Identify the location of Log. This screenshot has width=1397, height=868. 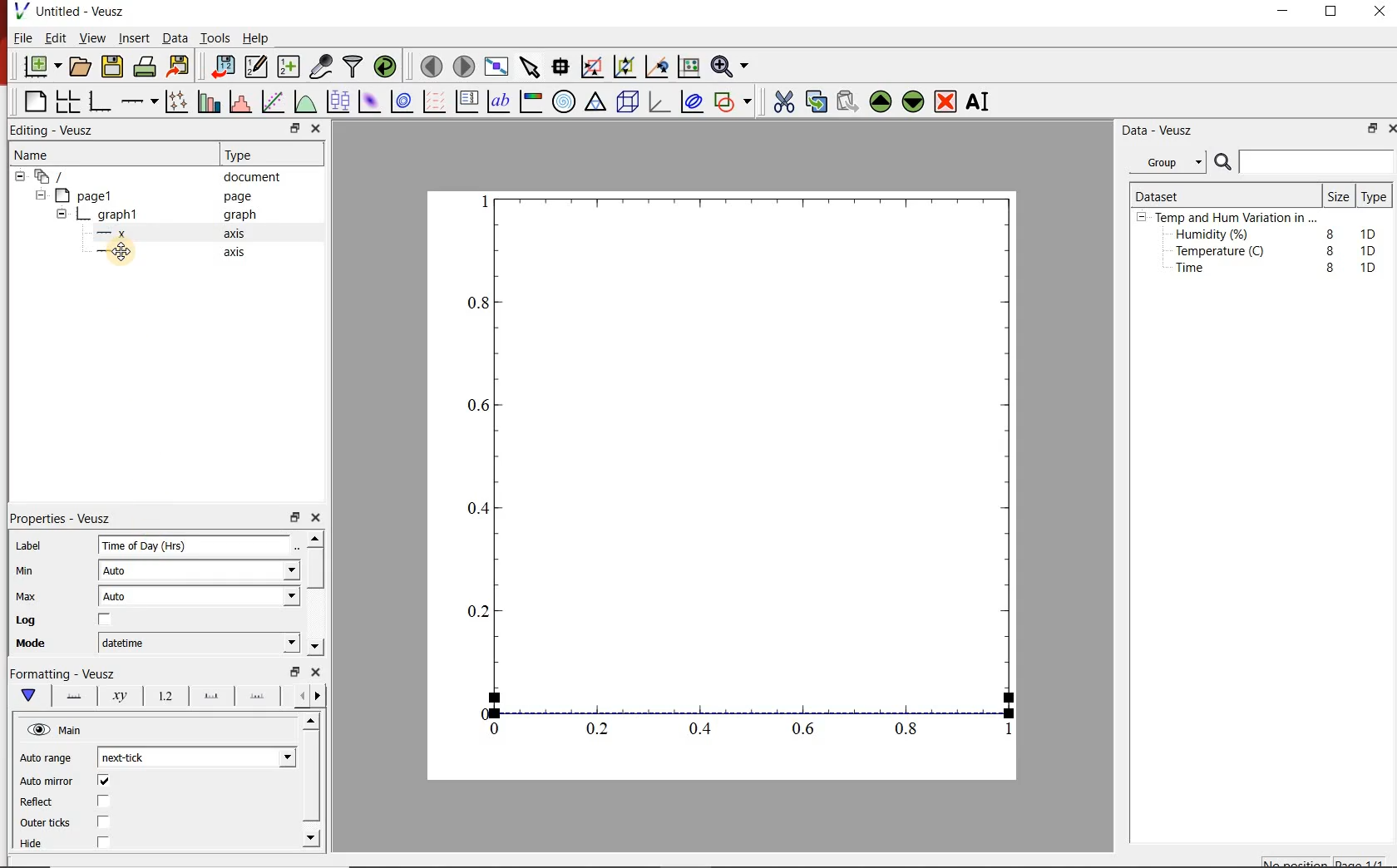
(77, 621).